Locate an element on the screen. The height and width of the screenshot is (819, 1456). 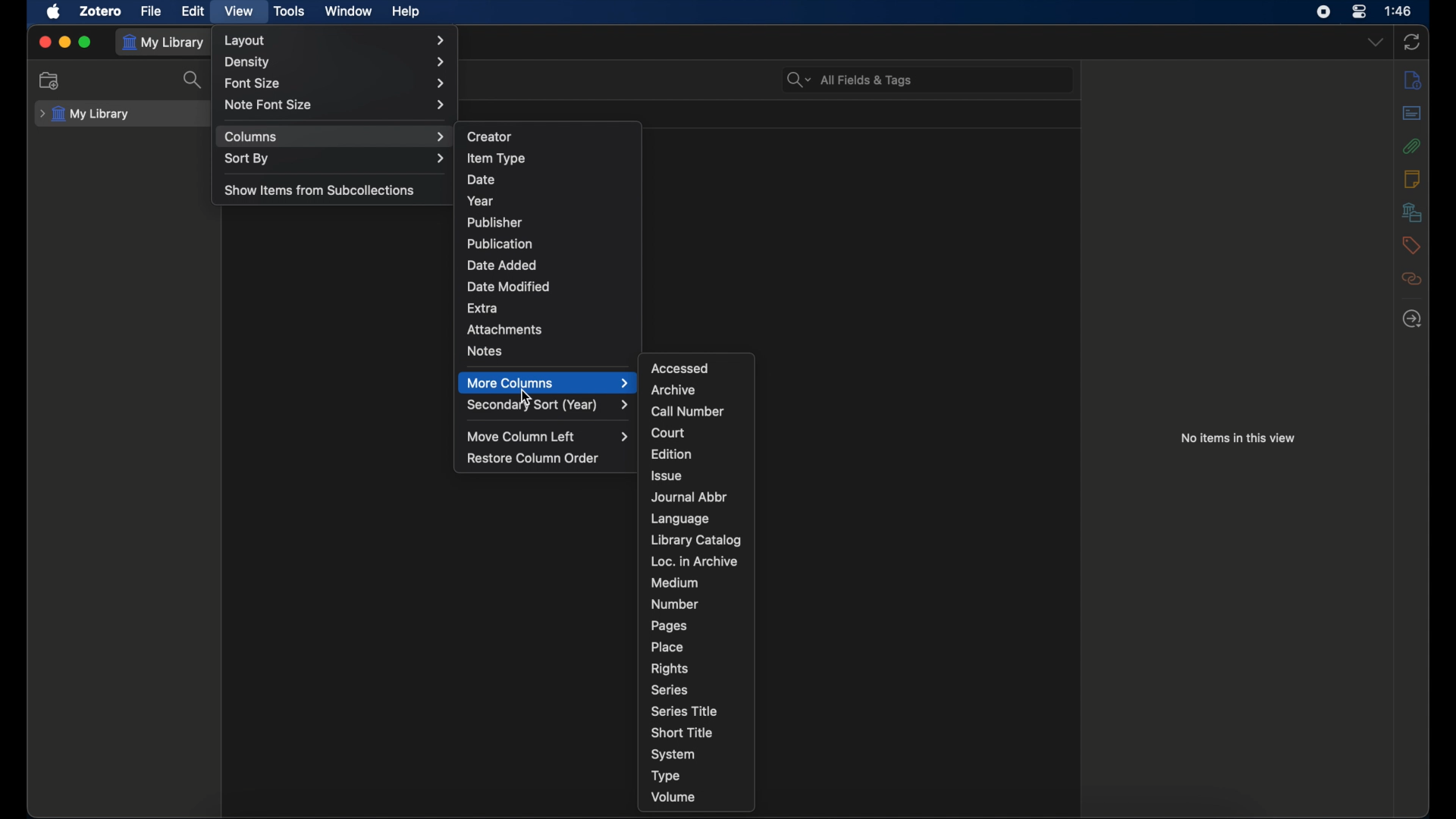
related is located at coordinates (1410, 278).